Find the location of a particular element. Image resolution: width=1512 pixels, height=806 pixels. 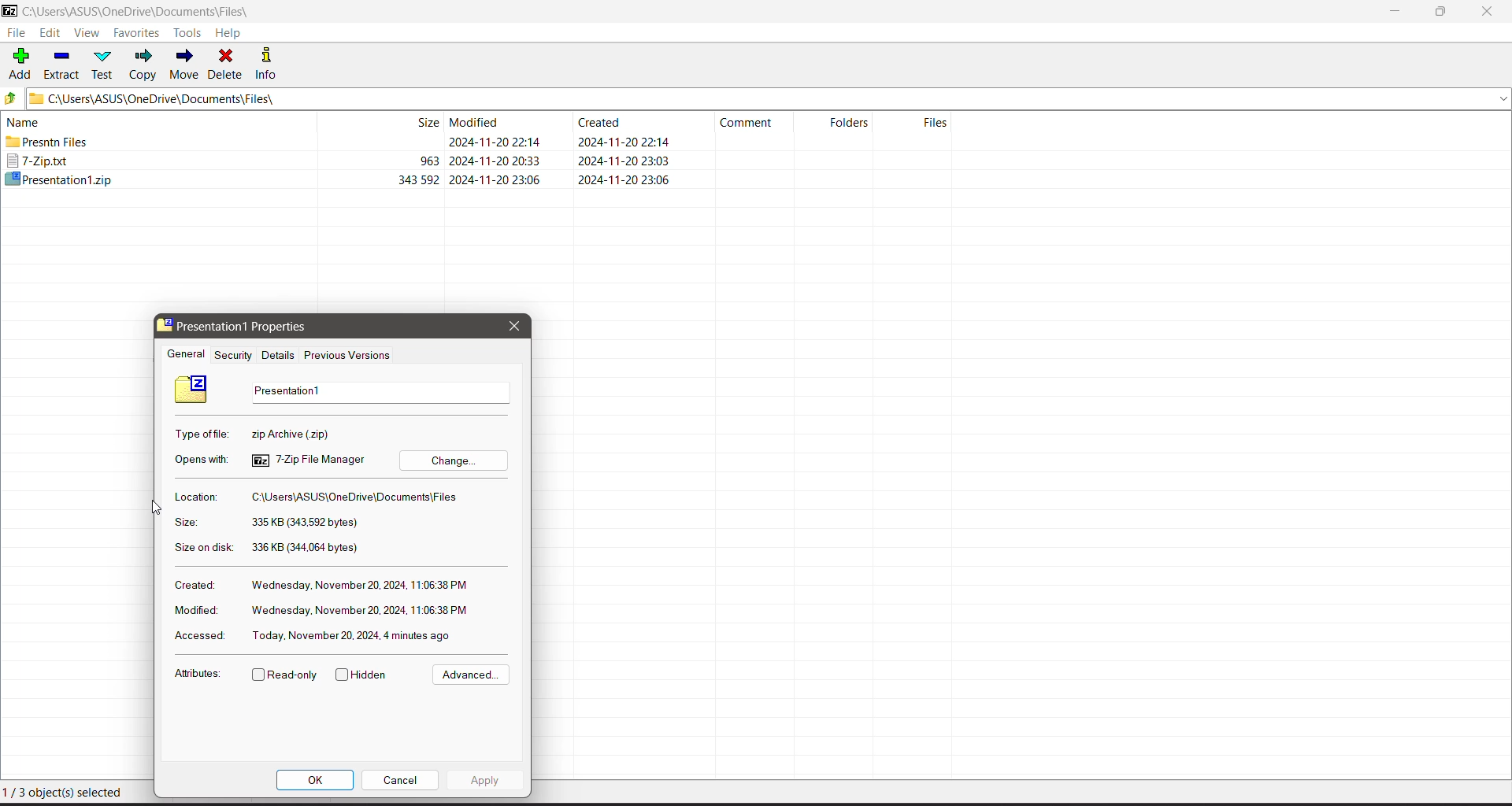

Close is located at coordinates (1490, 12).